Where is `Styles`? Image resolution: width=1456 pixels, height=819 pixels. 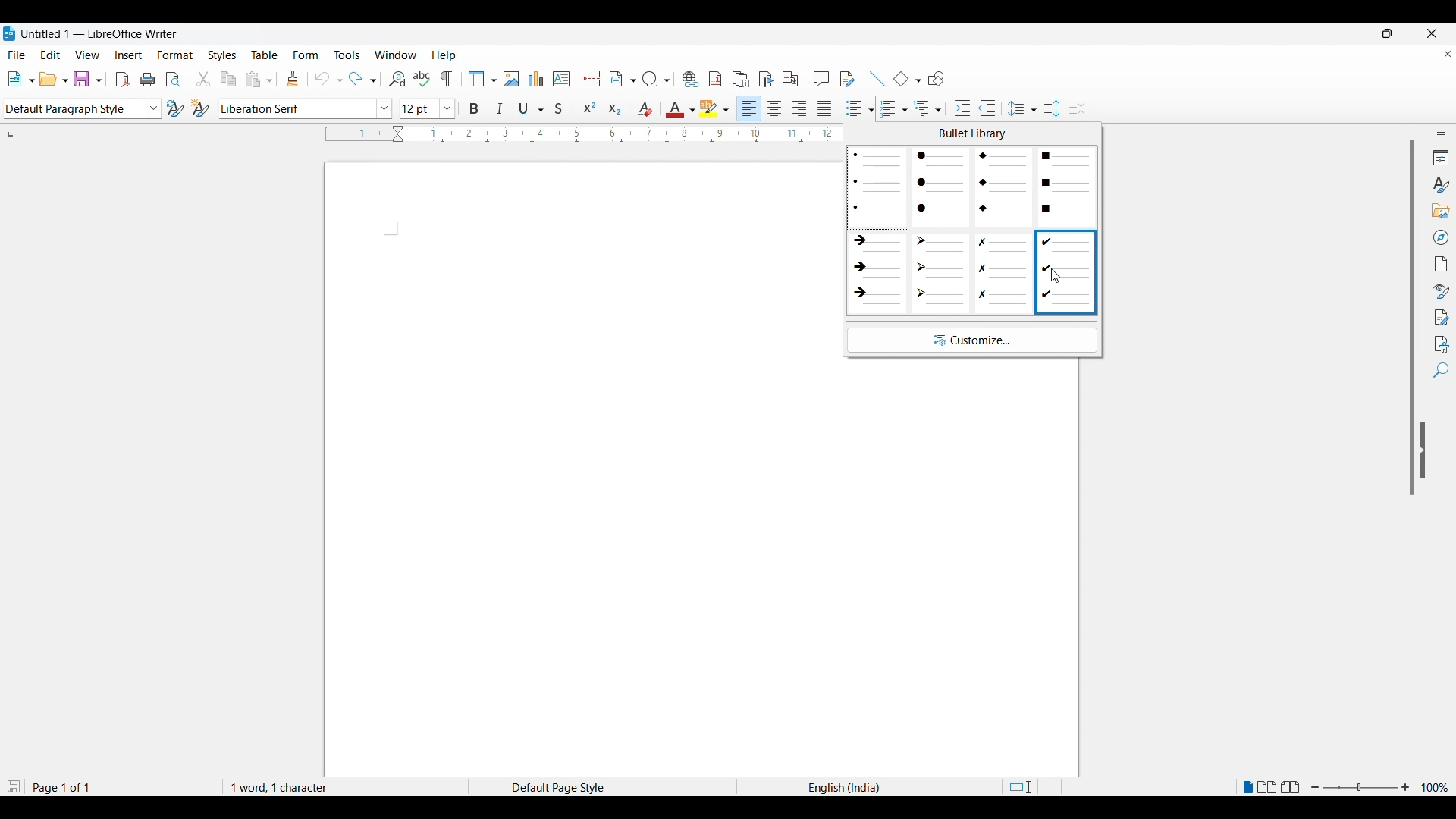
Styles is located at coordinates (1440, 184).